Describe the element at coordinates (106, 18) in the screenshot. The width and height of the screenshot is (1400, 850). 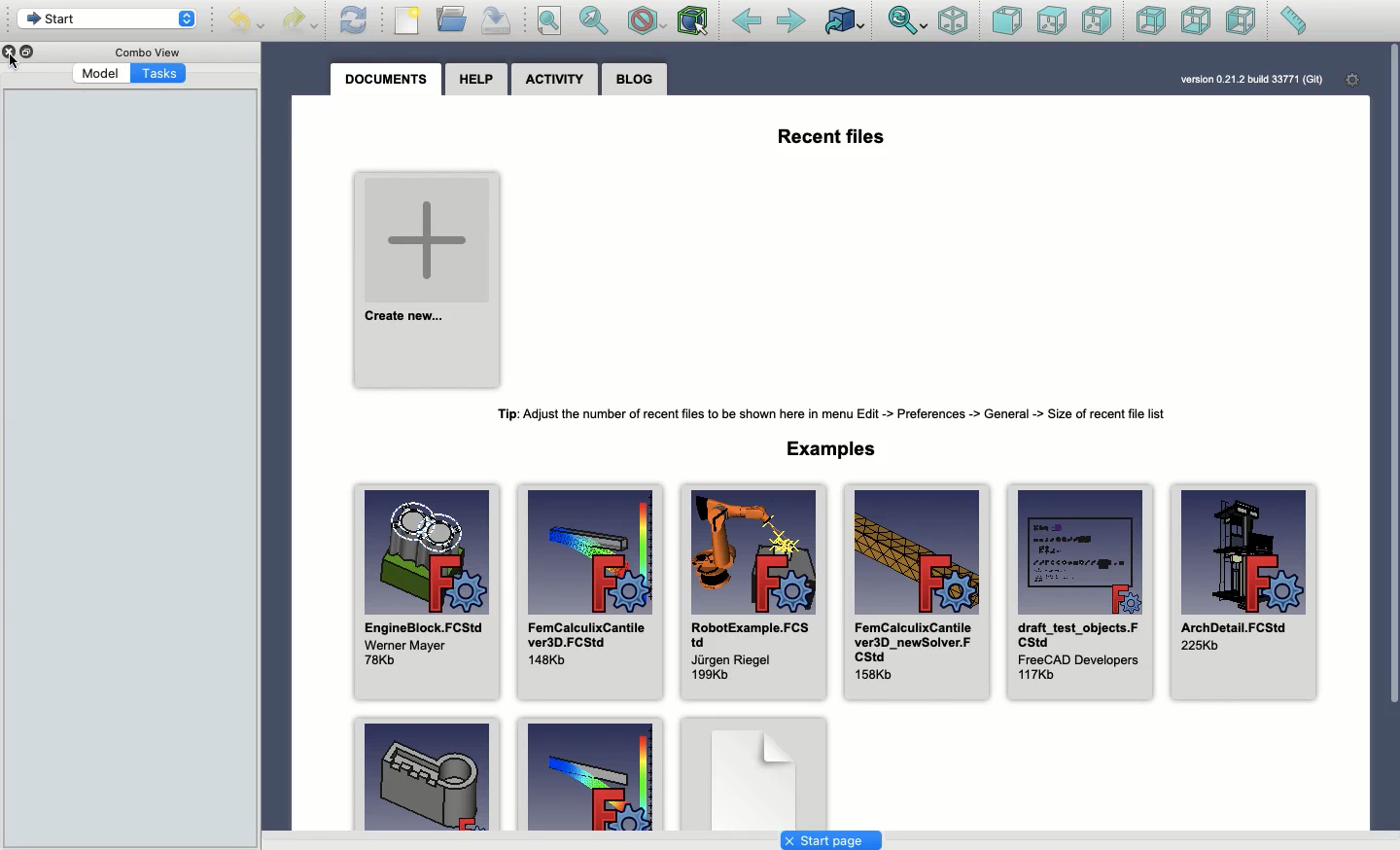
I see `Start` at that location.